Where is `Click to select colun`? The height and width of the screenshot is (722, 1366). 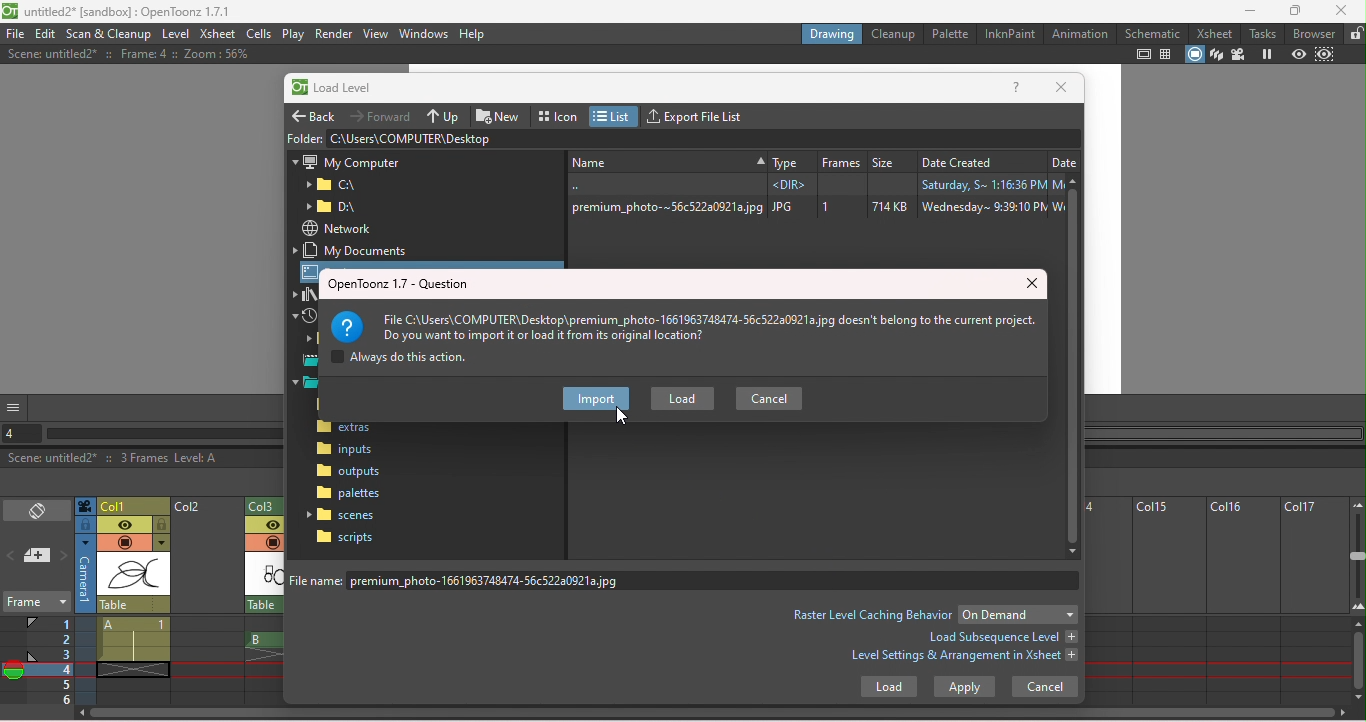
Click to select colun is located at coordinates (134, 505).